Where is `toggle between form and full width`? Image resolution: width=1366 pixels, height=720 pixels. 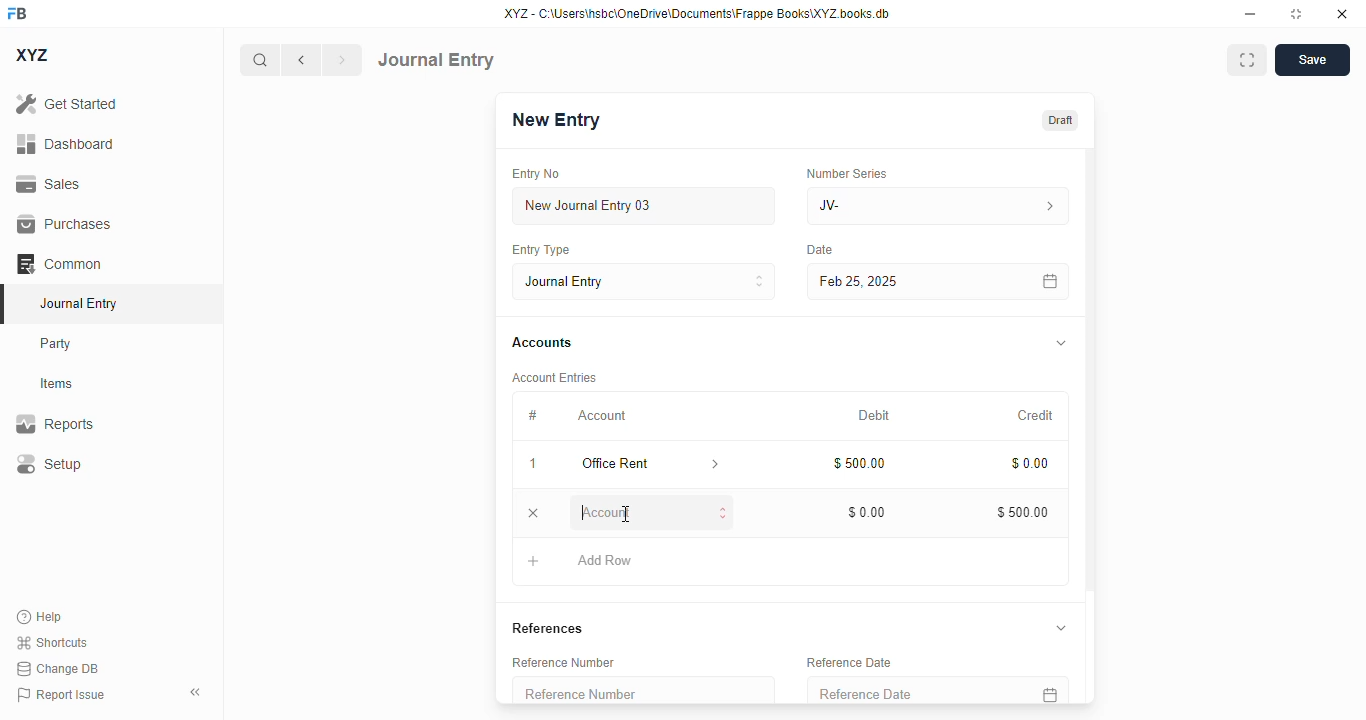
toggle between form and full width is located at coordinates (1248, 60).